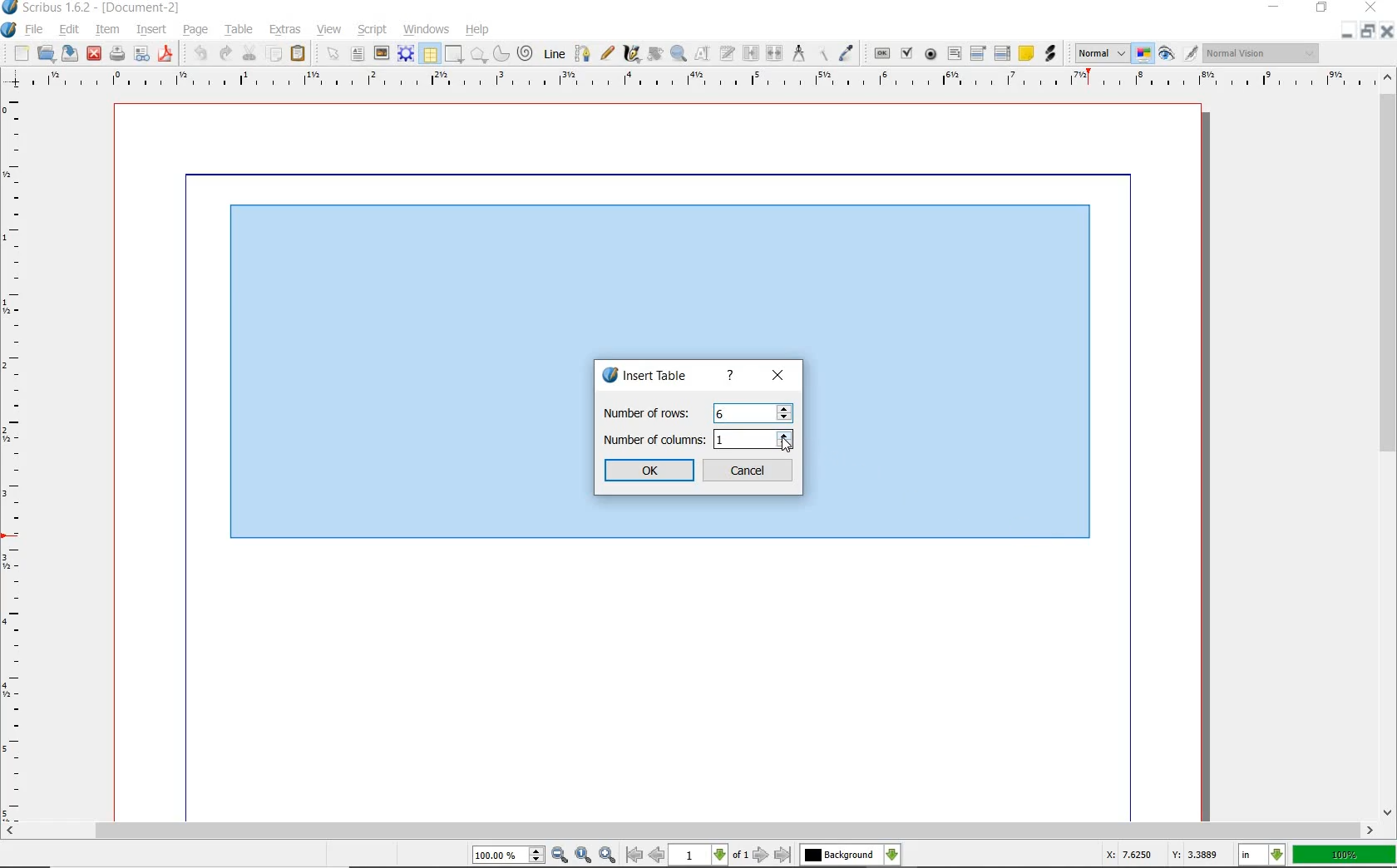  Describe the element at coordinates (1026, 52) in the screenshot. I see `text annotation` at that location.